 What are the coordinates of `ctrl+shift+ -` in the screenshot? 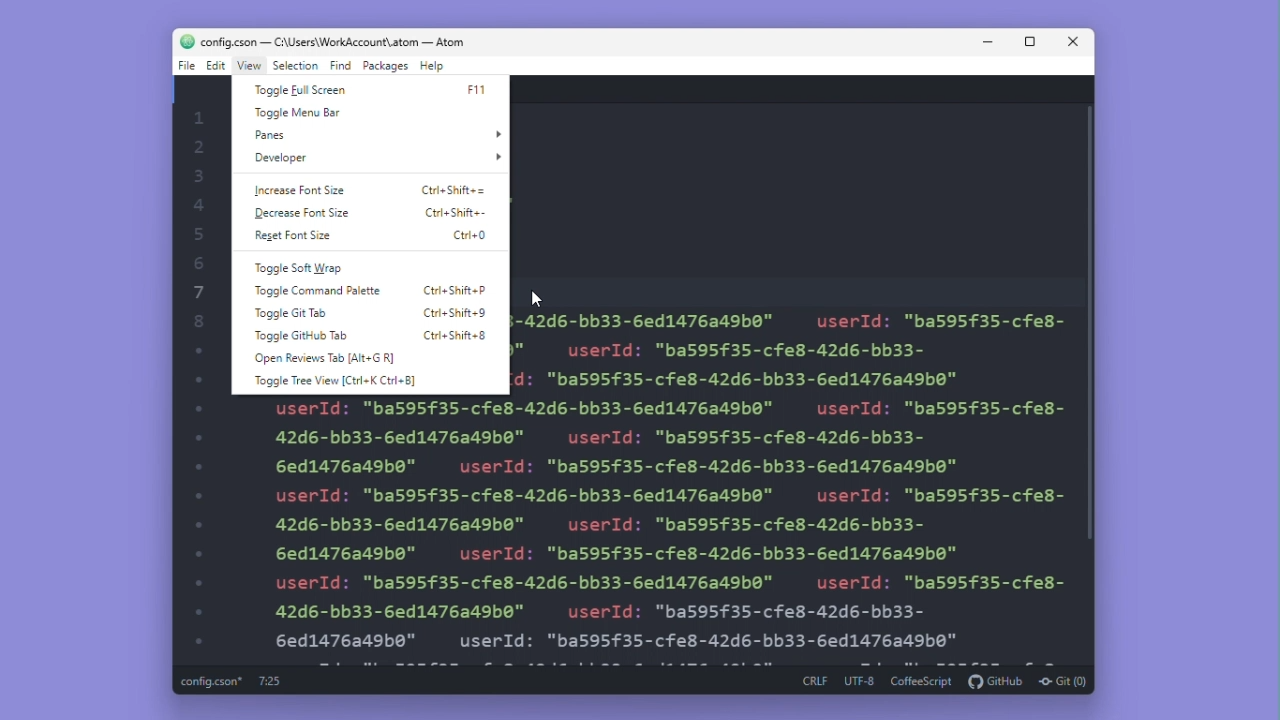 It's located at (456, 212).